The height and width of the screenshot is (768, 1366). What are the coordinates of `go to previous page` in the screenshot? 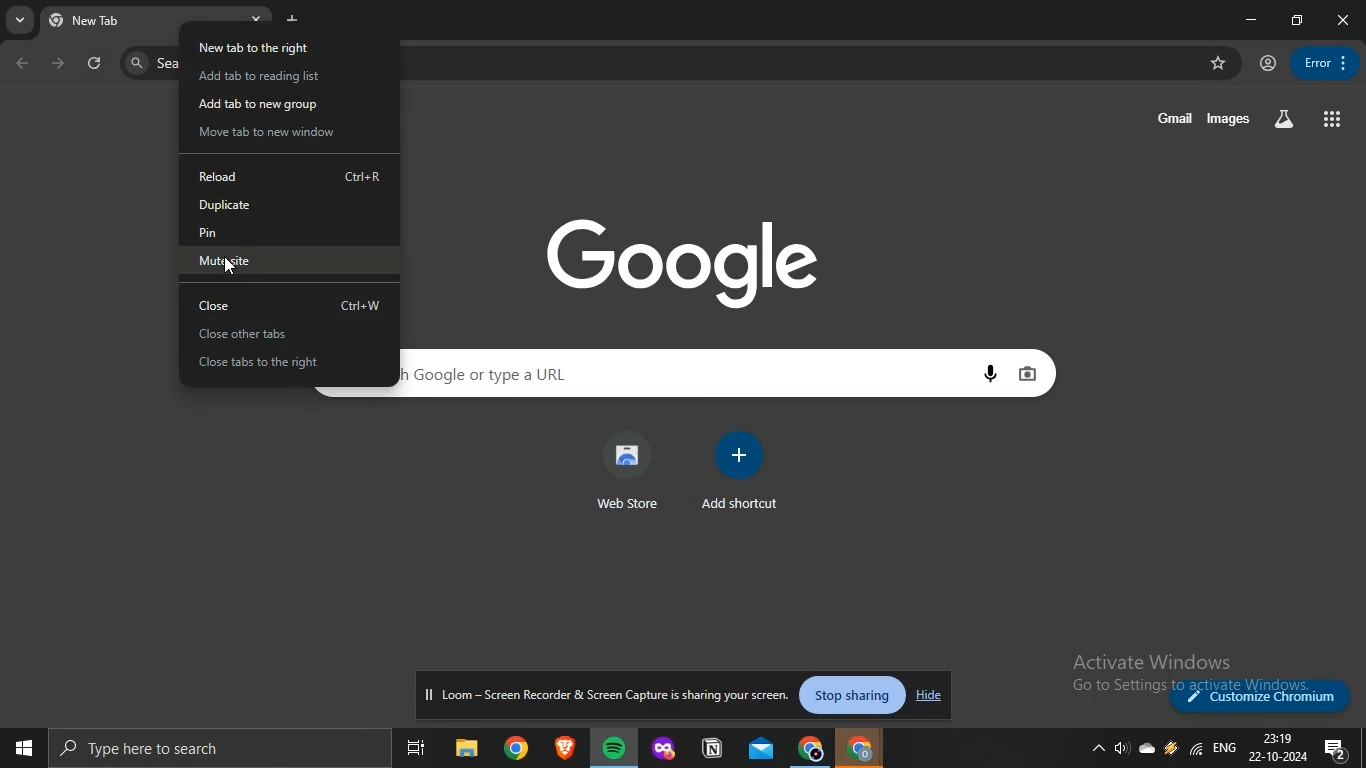 It's located at (24, 64).